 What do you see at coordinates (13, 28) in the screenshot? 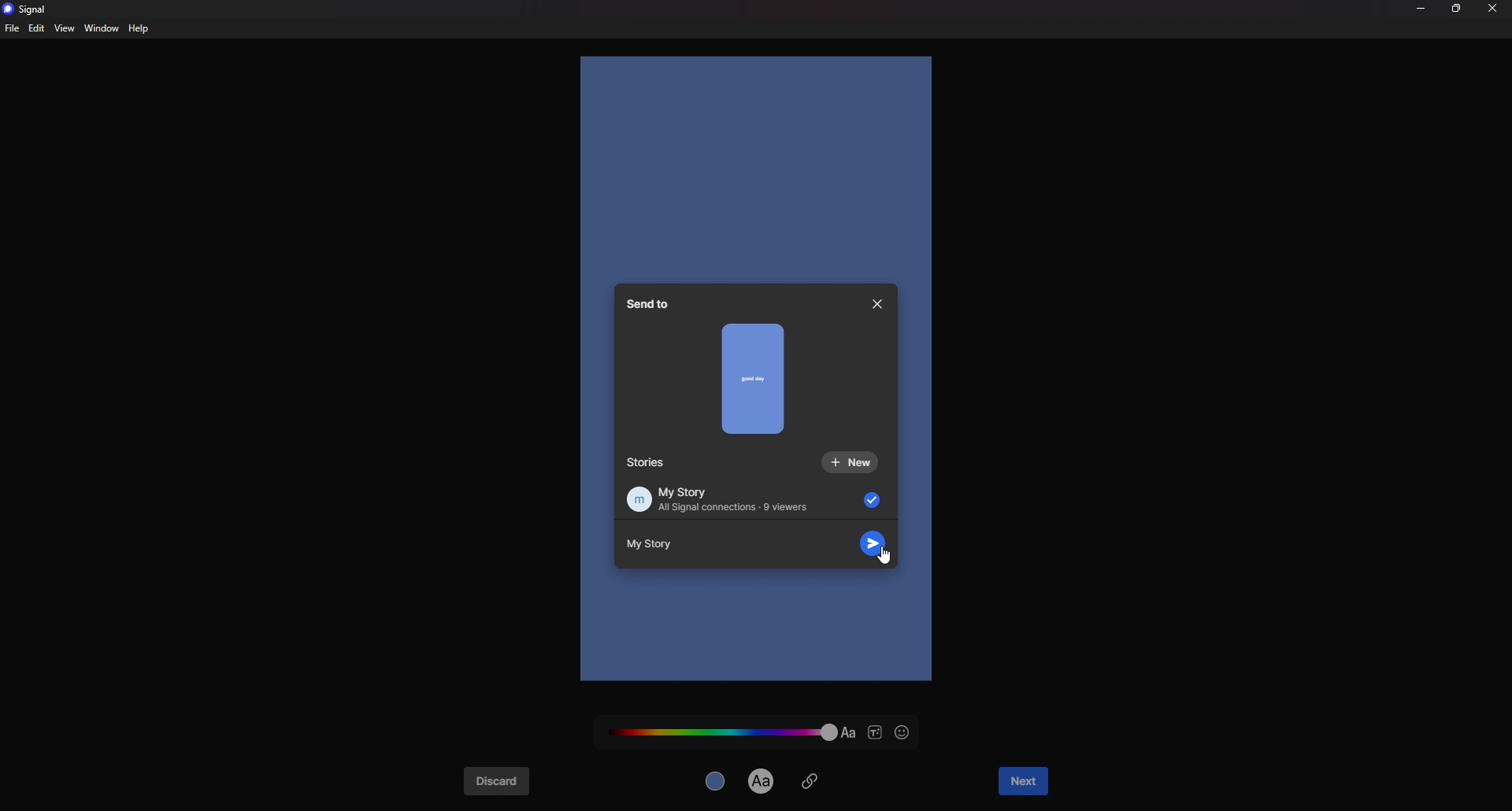
I see `file` at bounding box center [13, 28].